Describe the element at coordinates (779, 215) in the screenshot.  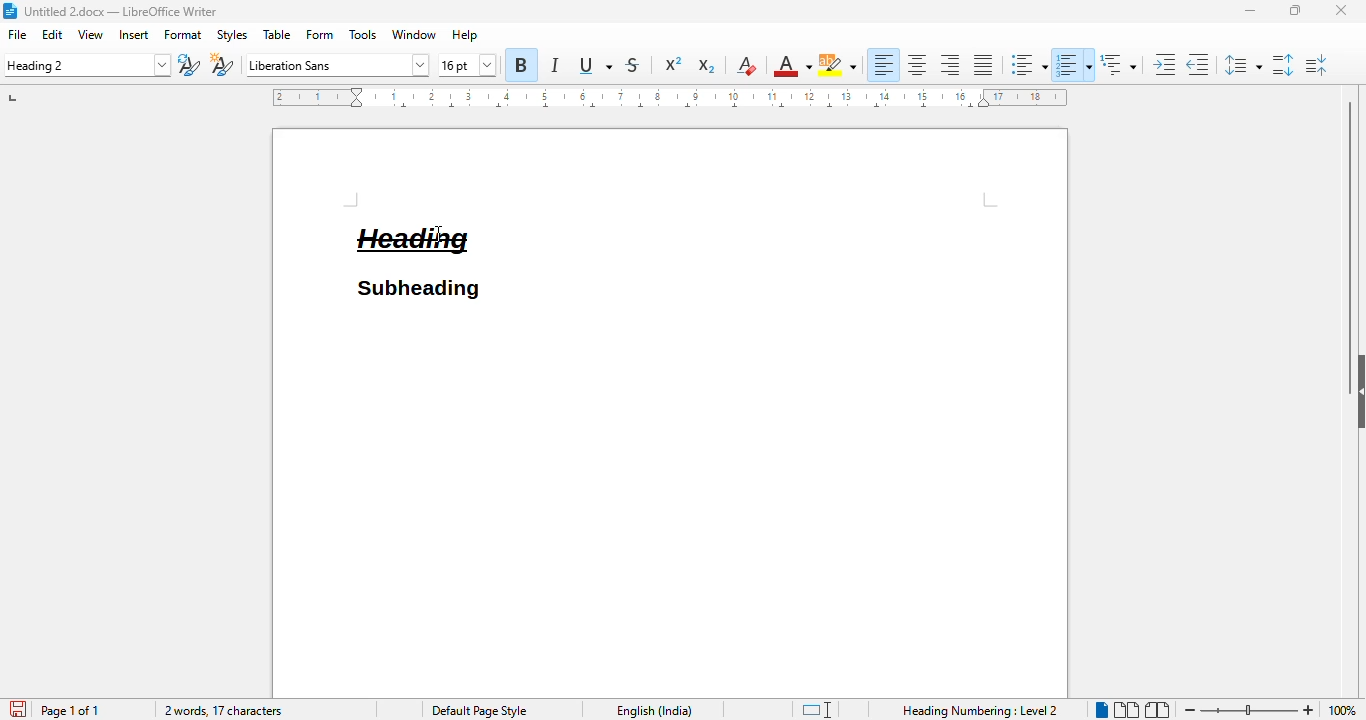
I see `Document` at that location.